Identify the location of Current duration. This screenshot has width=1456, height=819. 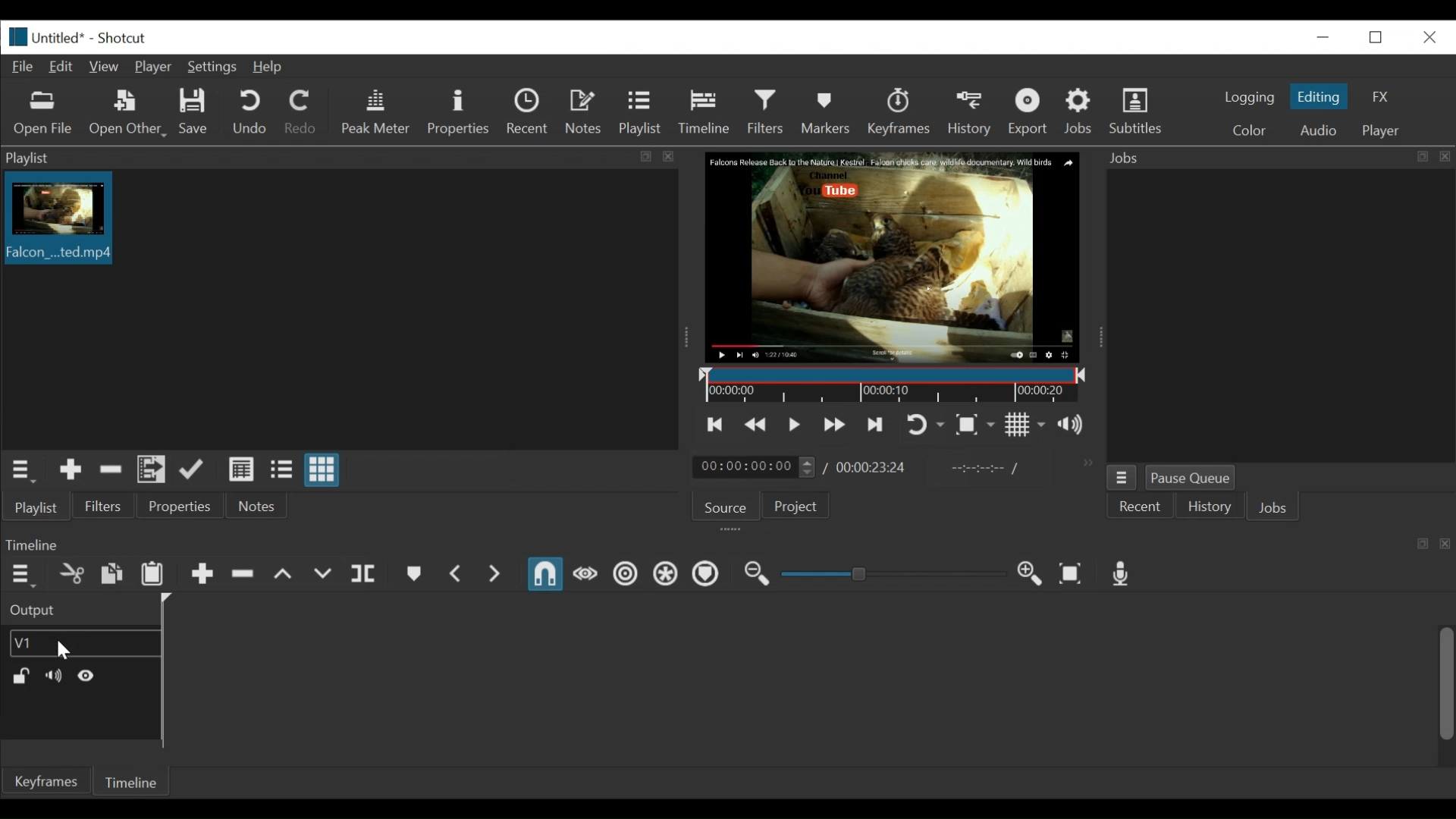
(755, 468).